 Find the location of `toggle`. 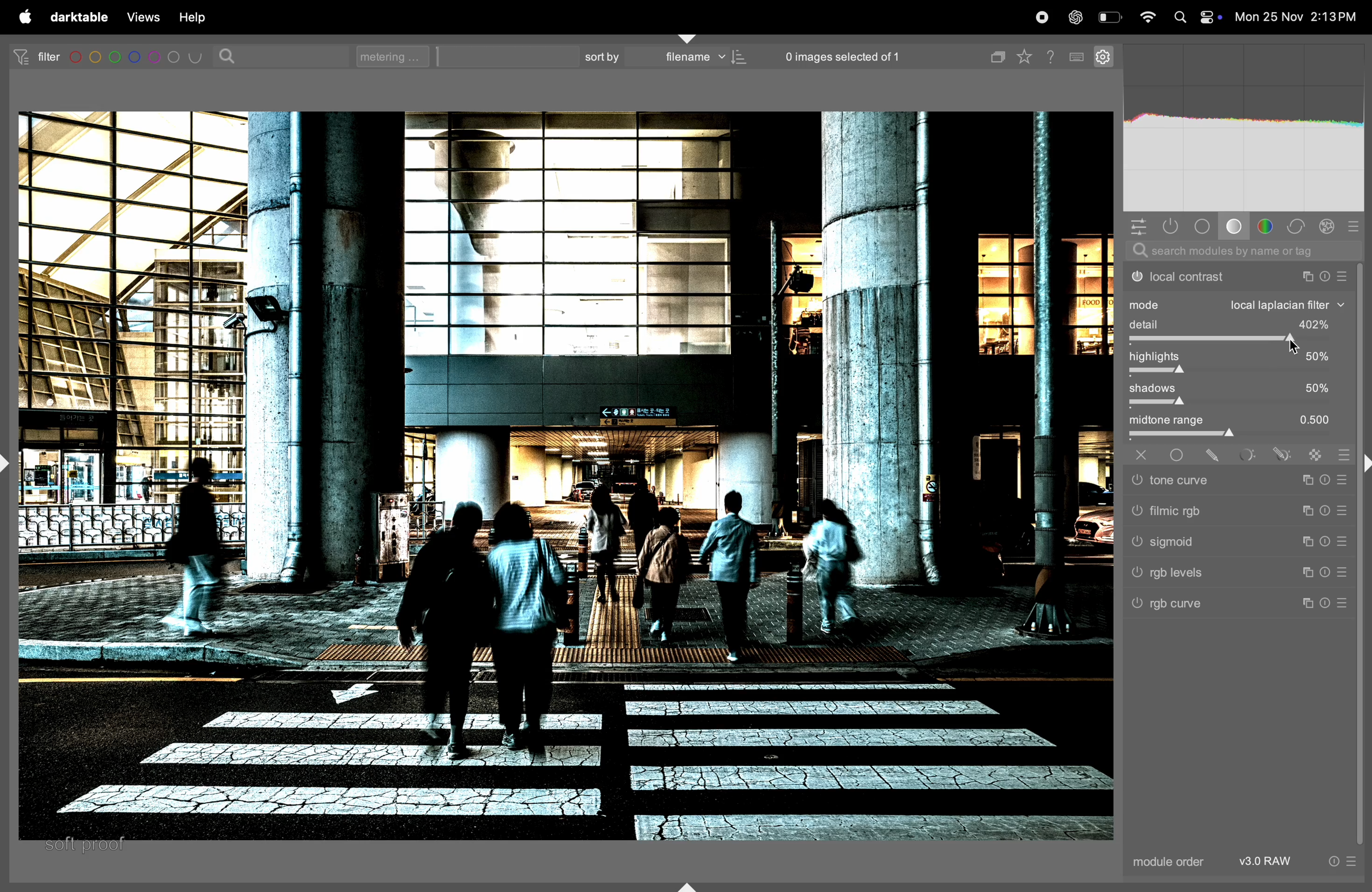

toggle is located at coordinates (1242, 436).